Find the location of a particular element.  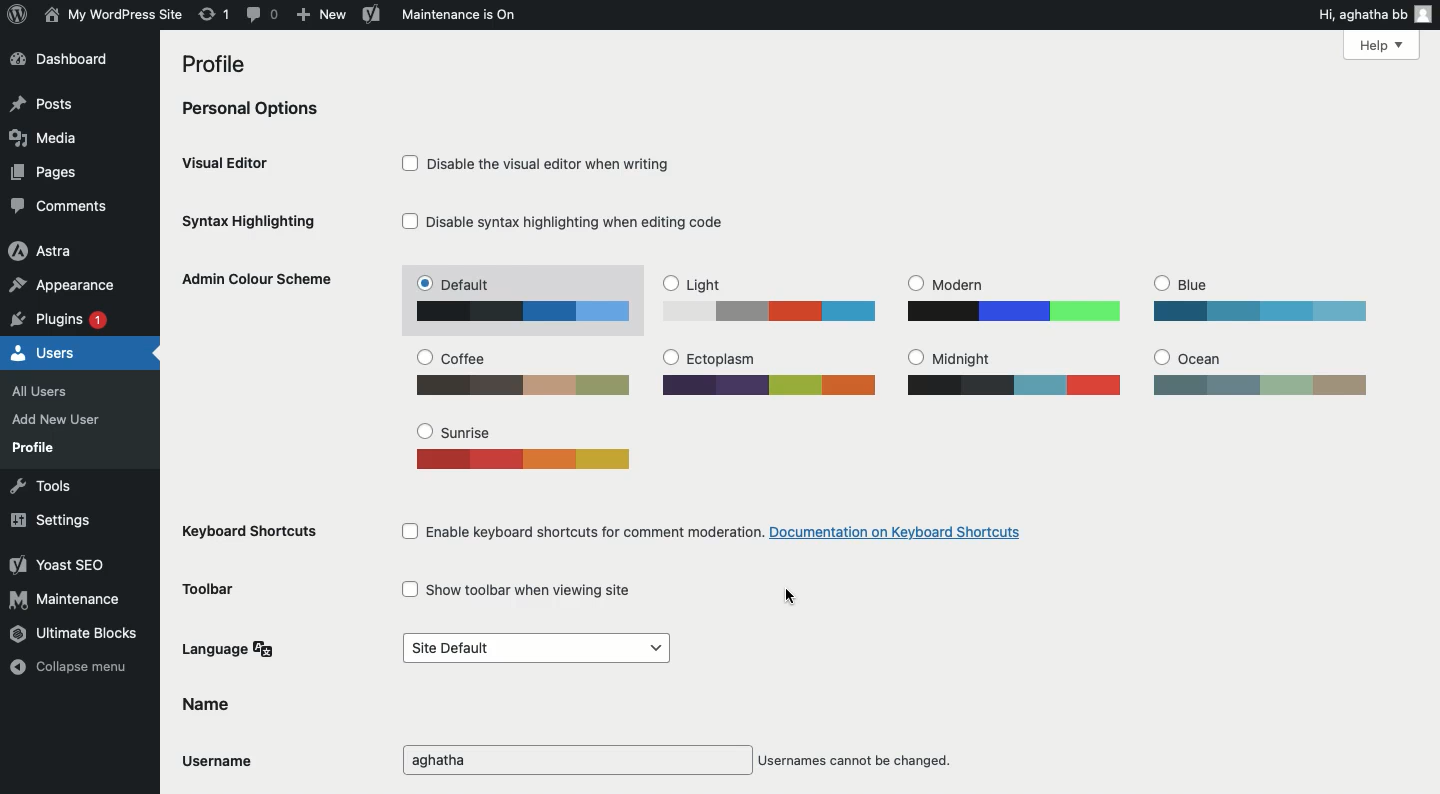

Modern is located at coordinates (1016, 300).